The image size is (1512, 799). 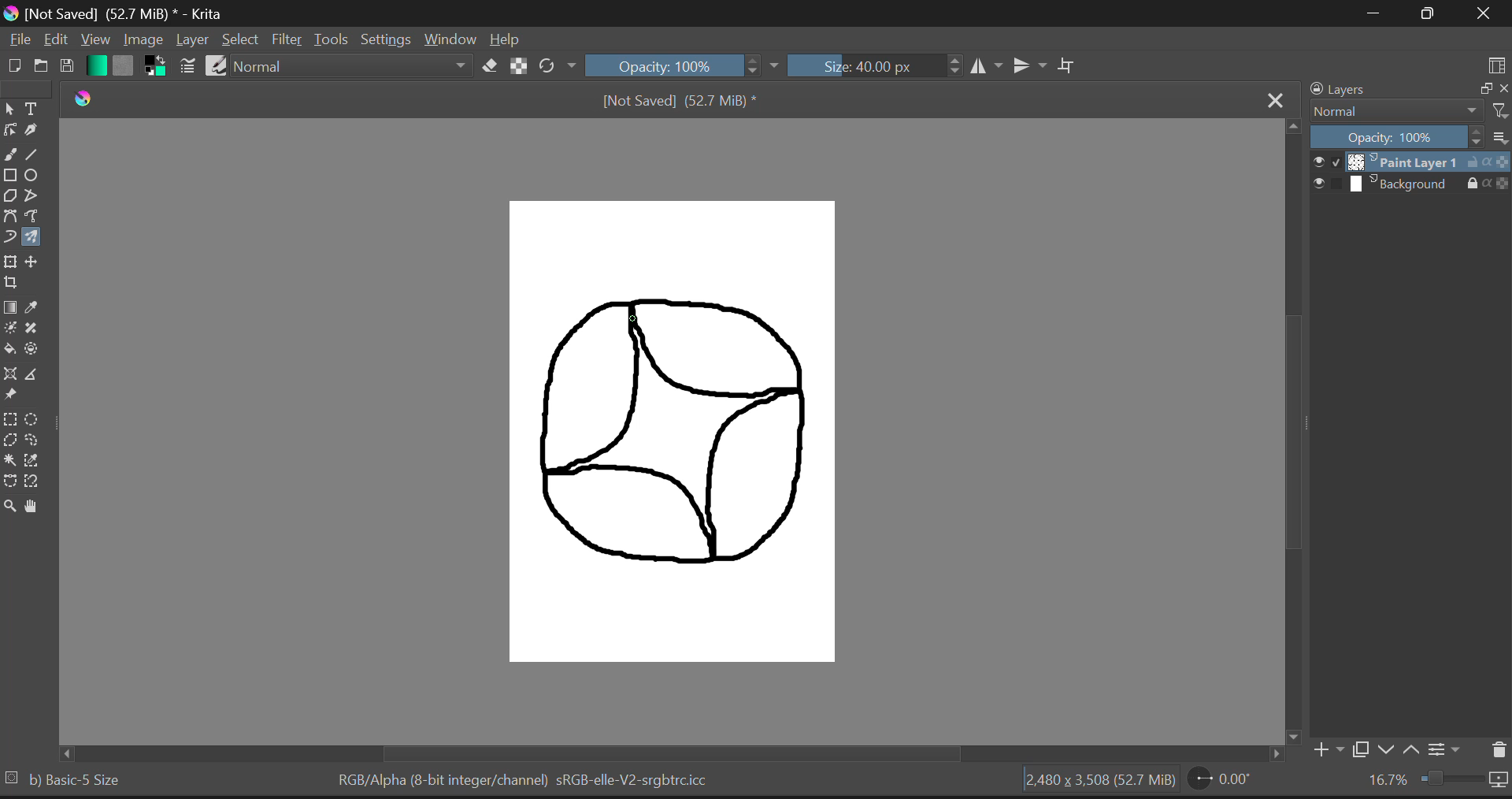 What do you see at coordinates (9, 262) in the screenshot?
I see `Transform Layer` at bounding box center [9, 262].